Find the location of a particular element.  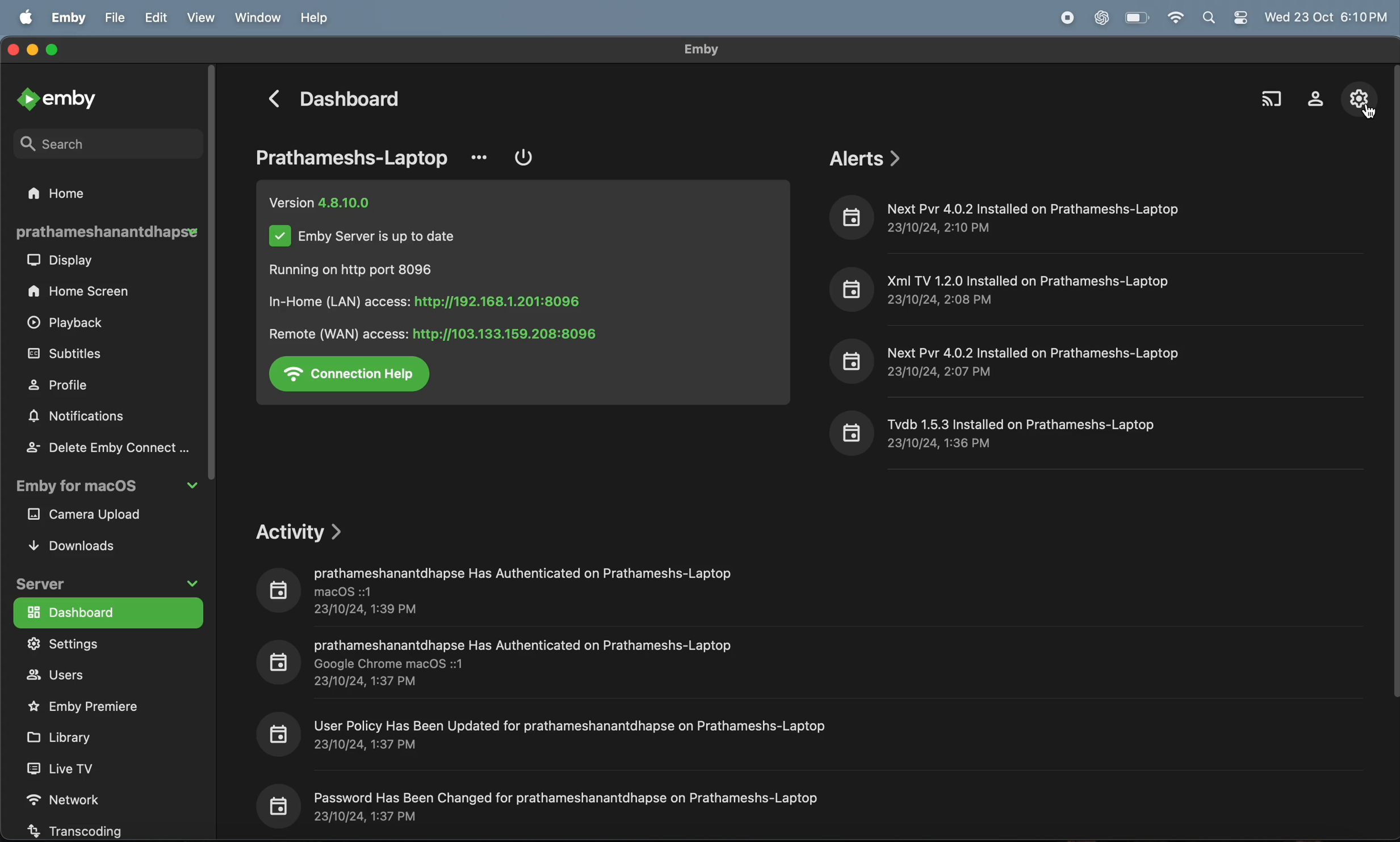

apple menu is located at coordinates (22, 17).